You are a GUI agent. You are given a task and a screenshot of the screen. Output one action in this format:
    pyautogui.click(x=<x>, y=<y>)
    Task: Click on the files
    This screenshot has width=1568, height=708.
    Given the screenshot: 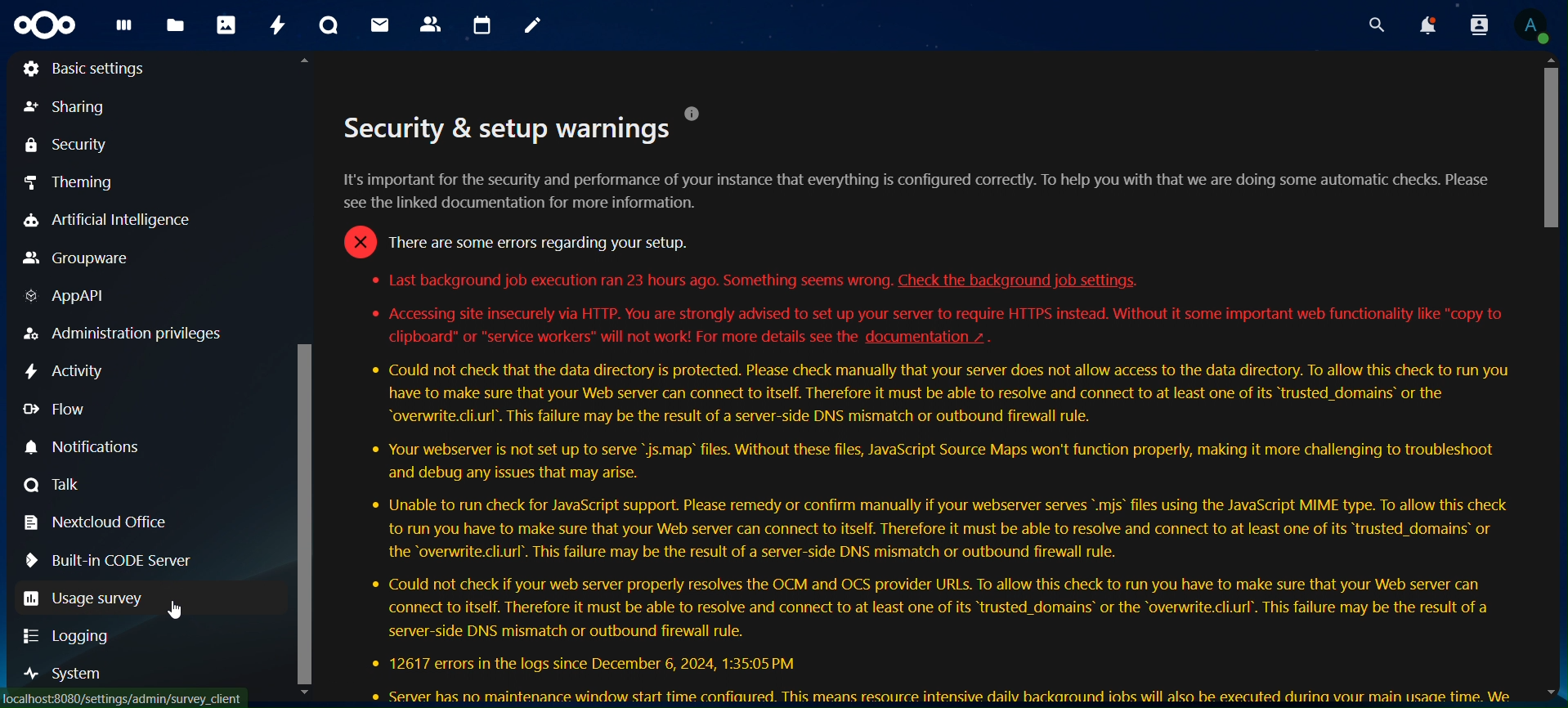 What is the action you would take?
    pyautogui.click(x=177, y=23)
    